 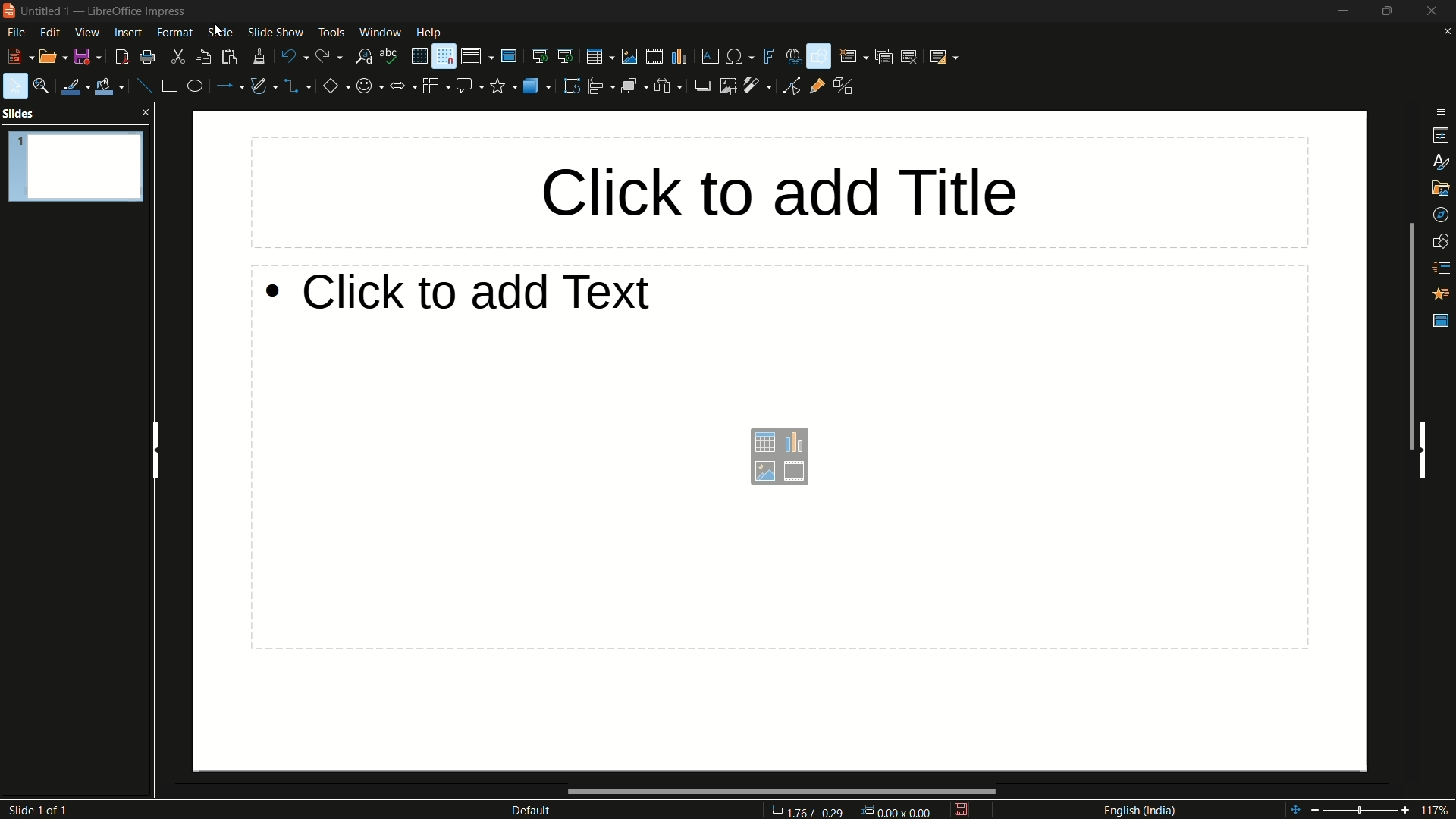 I want to click on app name, so click(x=137, y=10).